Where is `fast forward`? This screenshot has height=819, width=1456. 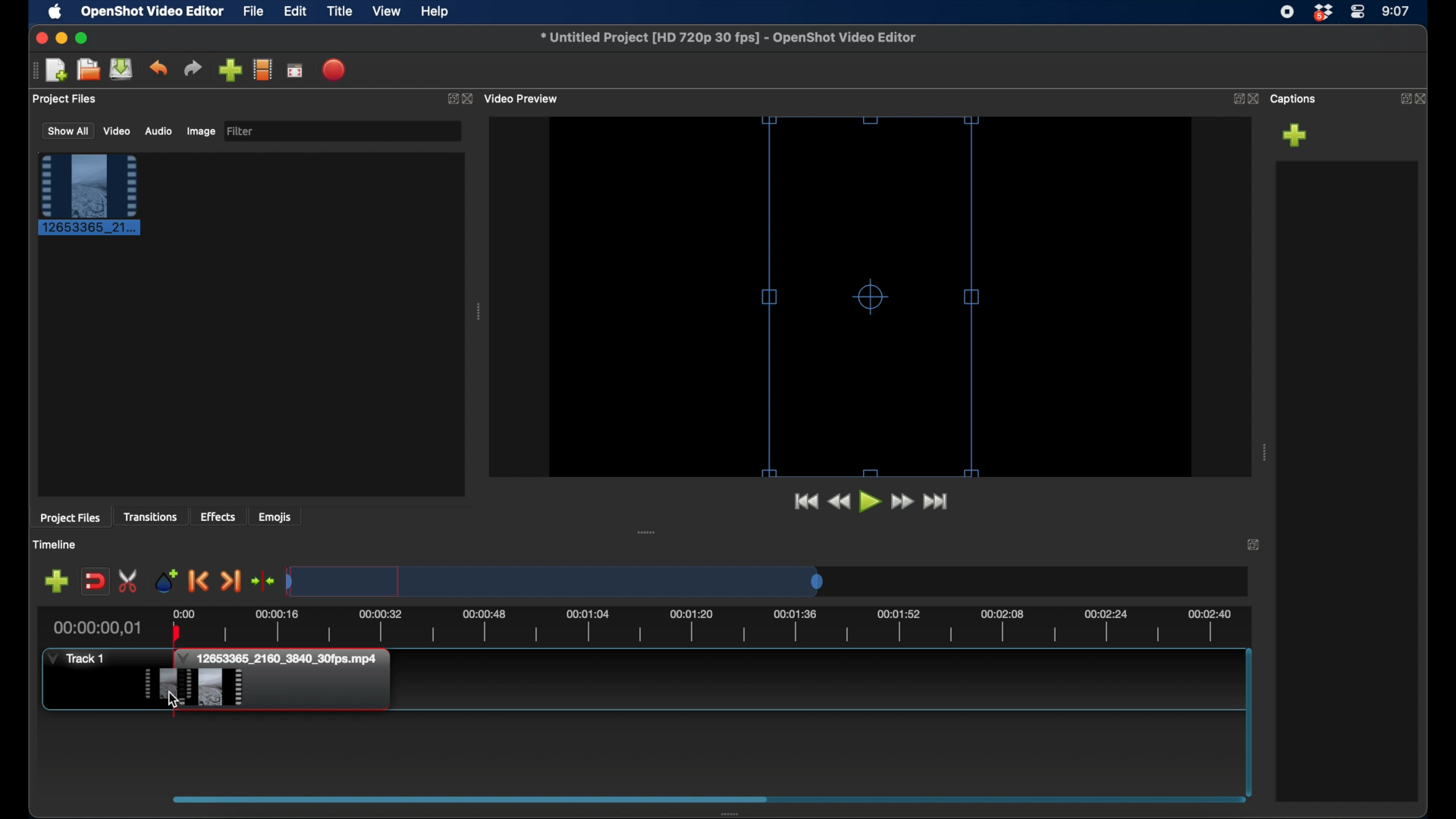 fast forward is located at coordinates (937, 501).